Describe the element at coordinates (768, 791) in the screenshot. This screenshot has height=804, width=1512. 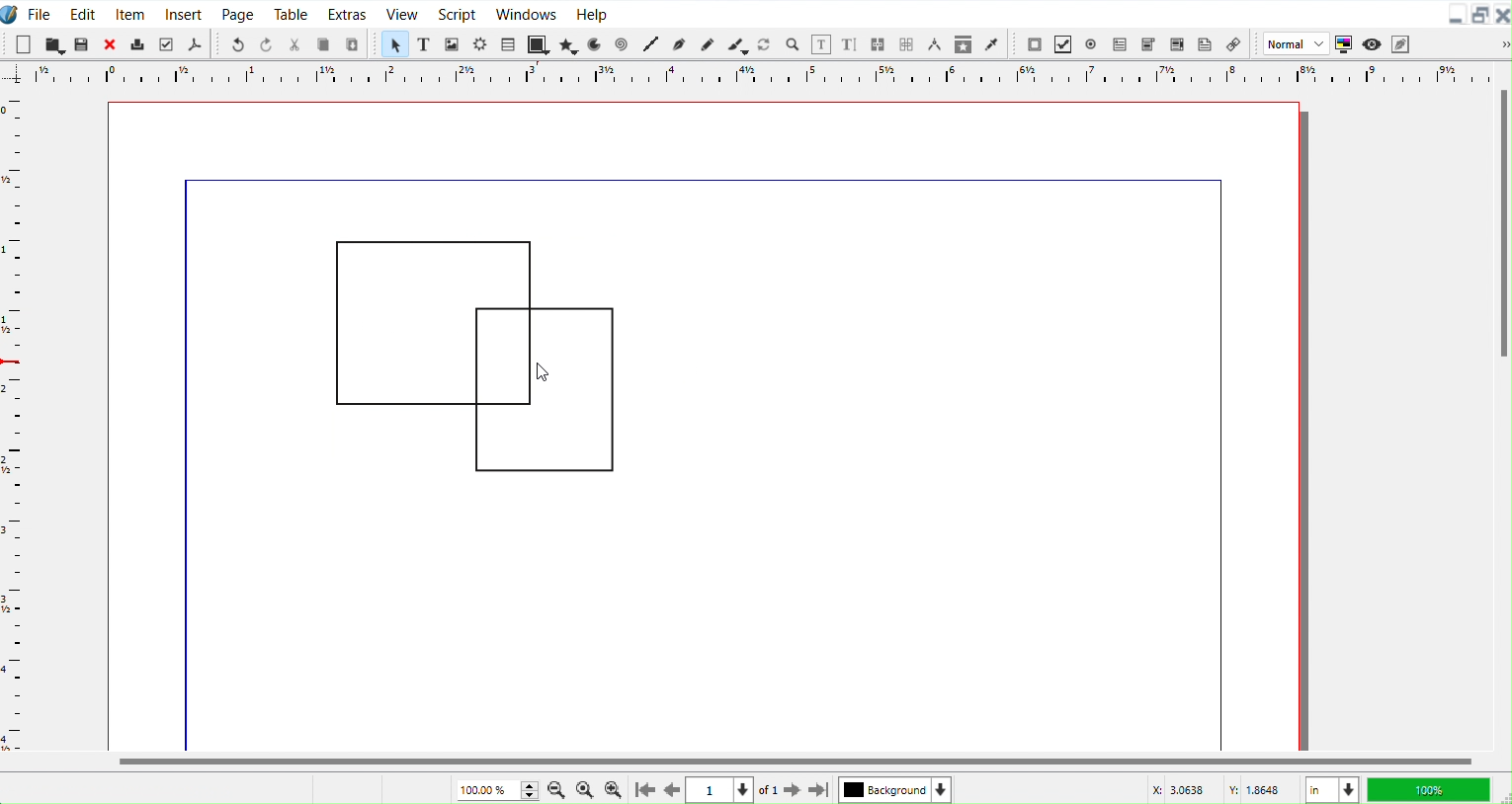
I see `of 1` at that location.